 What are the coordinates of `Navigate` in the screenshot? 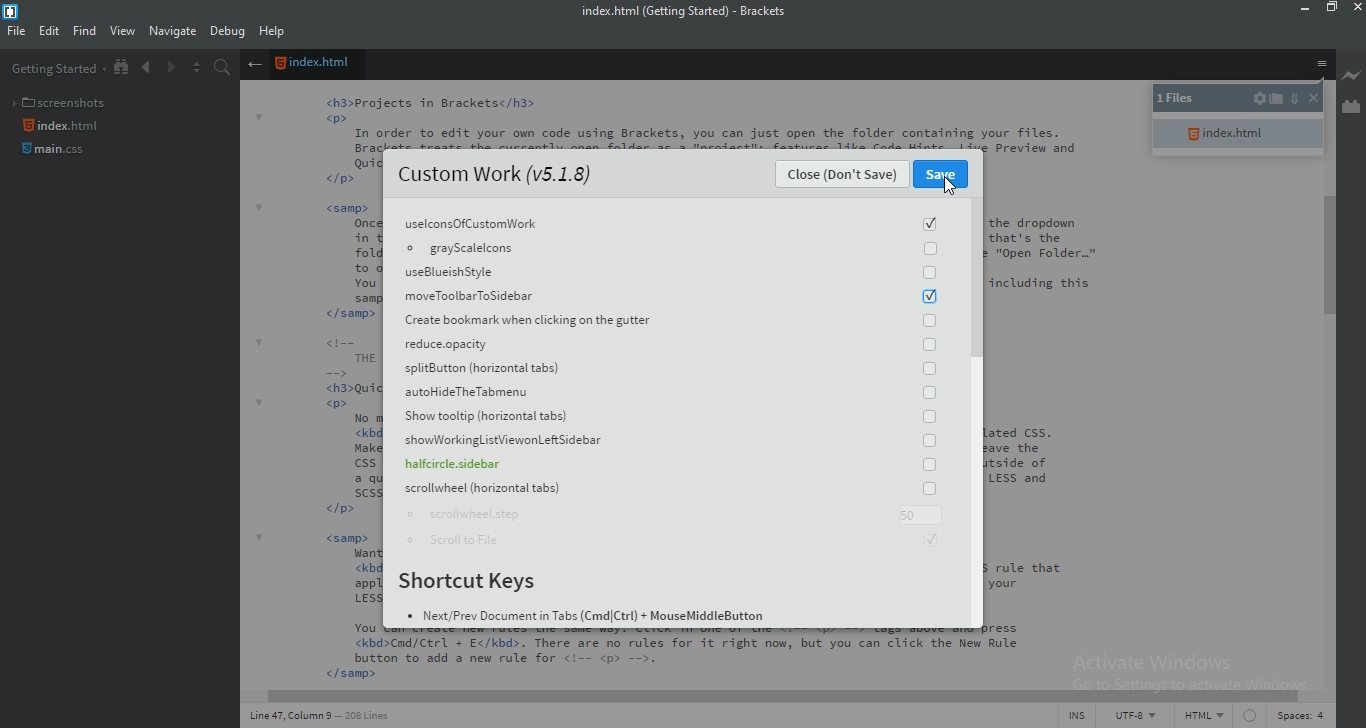 It's located at (172, 31).